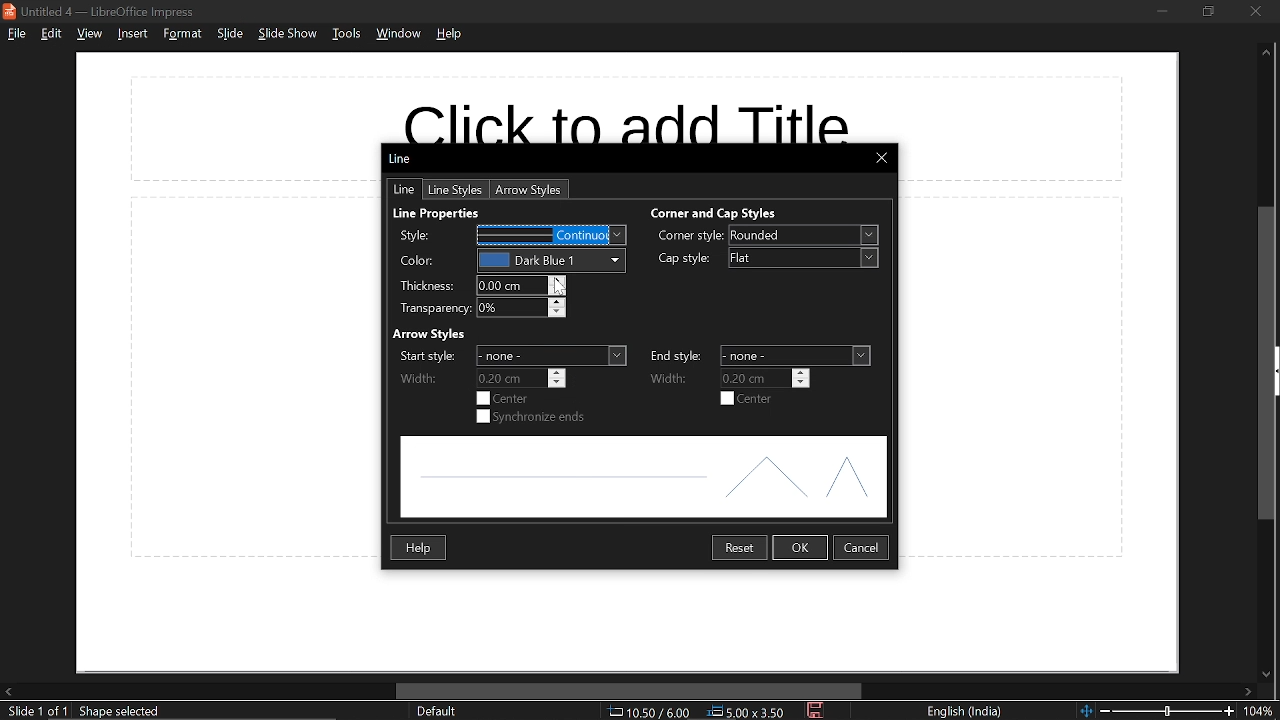 The width and height of the screenshot is (1280, 720). Describe the element at coordinates (796, 355) in the screenshot. I see `end style` at that location.